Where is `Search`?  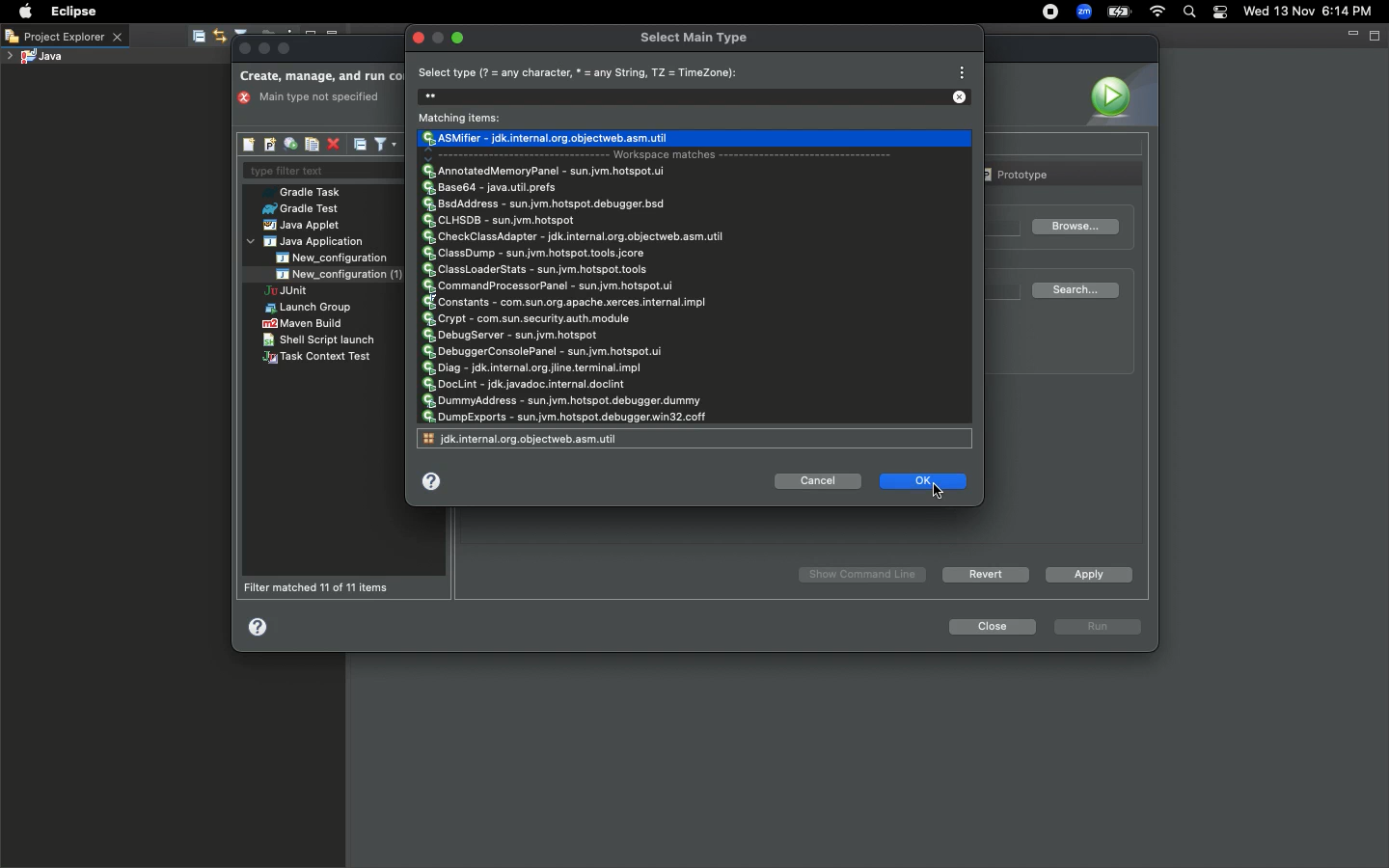
Search is located at coordinates (1188, 14).